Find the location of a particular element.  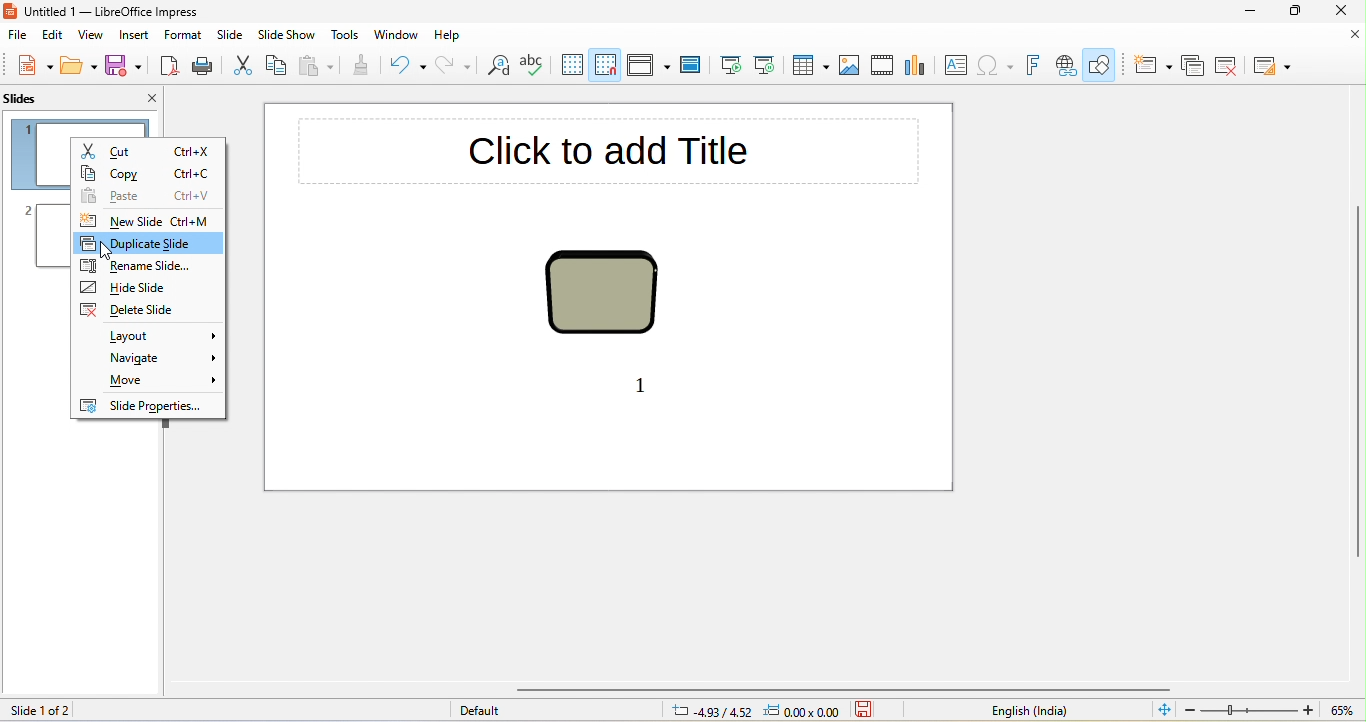

minimize is located at coordinates (1242, 10).